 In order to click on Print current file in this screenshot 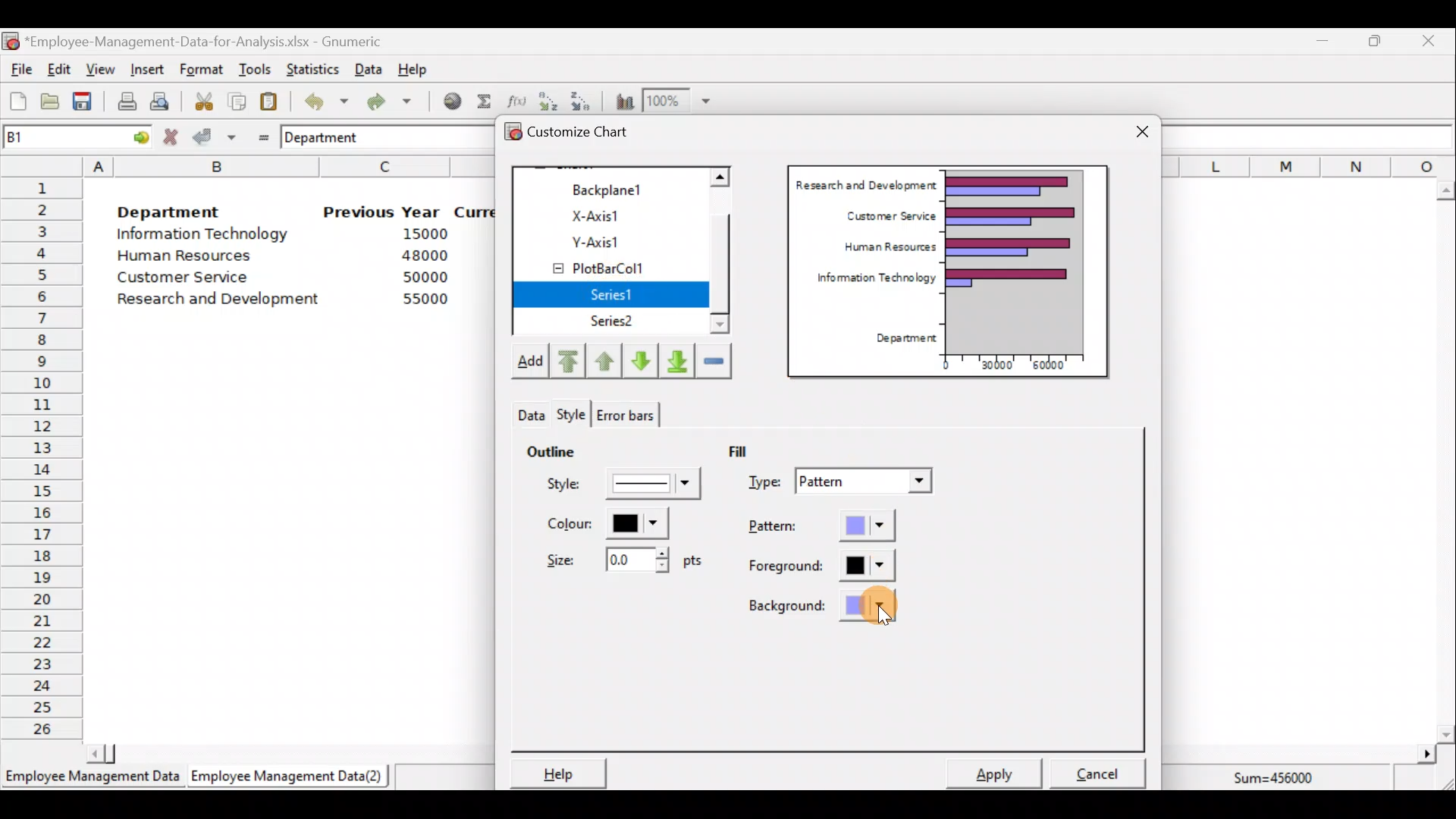, I will do `click(127, 101)`.